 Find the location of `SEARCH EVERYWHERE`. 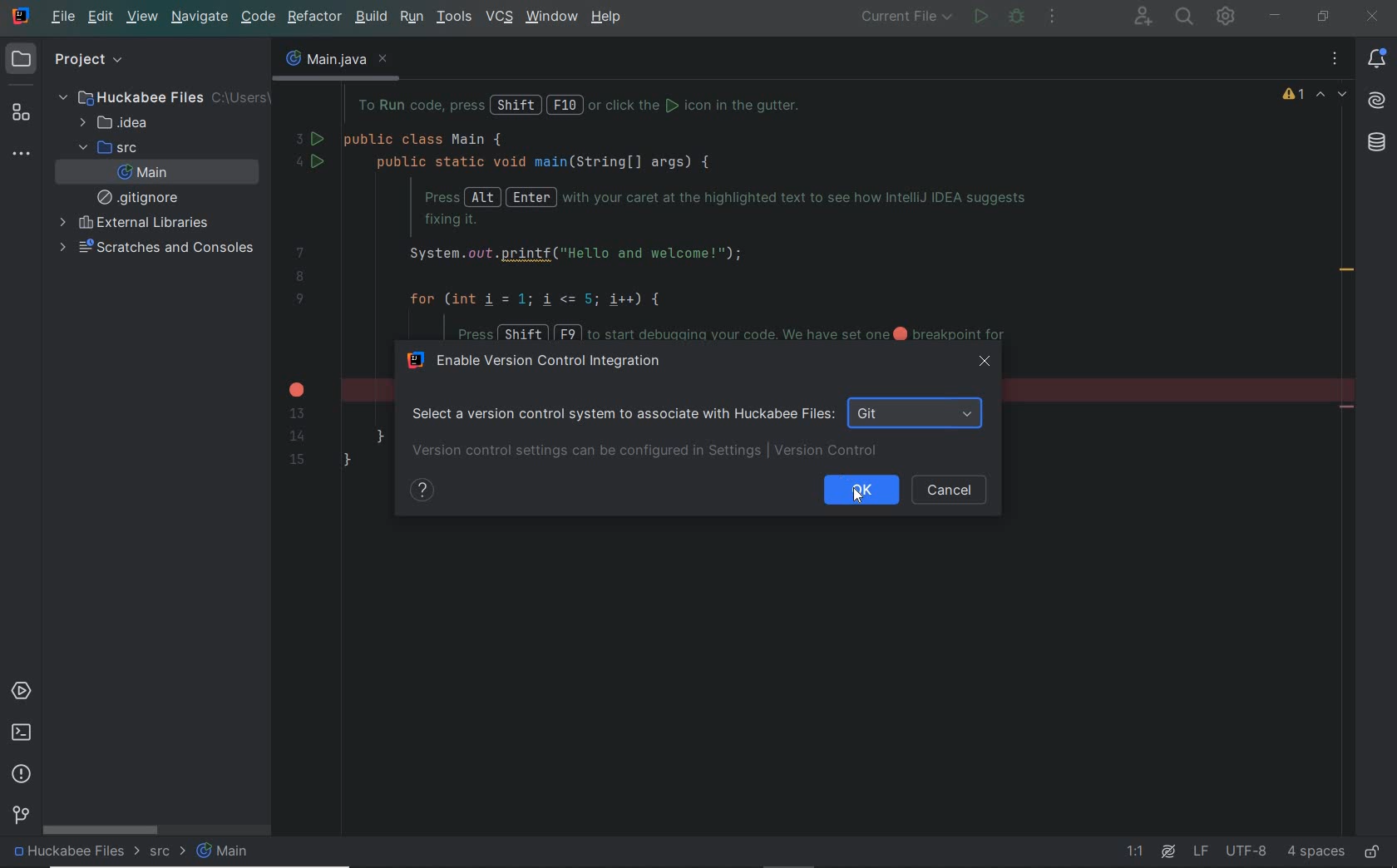

SEARCH EVERYWHERE is located at coordinates (1185, 18).